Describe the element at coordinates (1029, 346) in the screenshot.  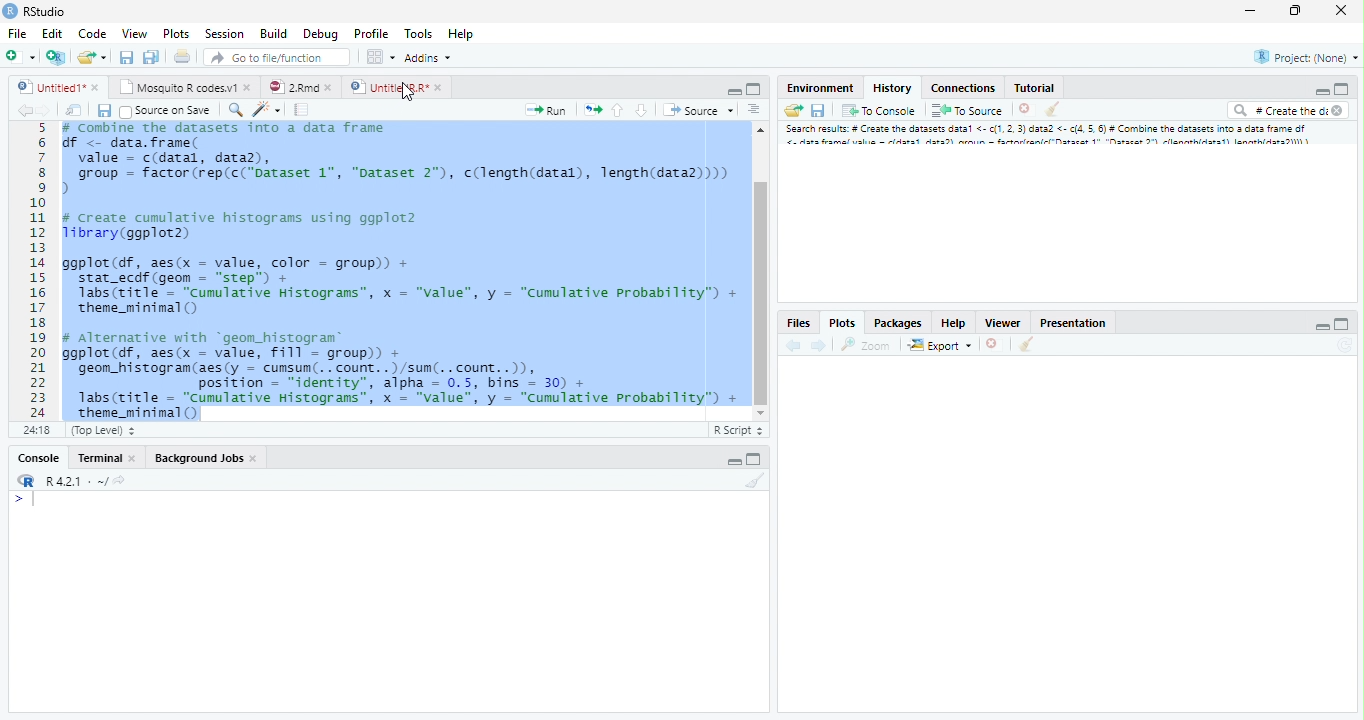
I see `Clear console` at that location.